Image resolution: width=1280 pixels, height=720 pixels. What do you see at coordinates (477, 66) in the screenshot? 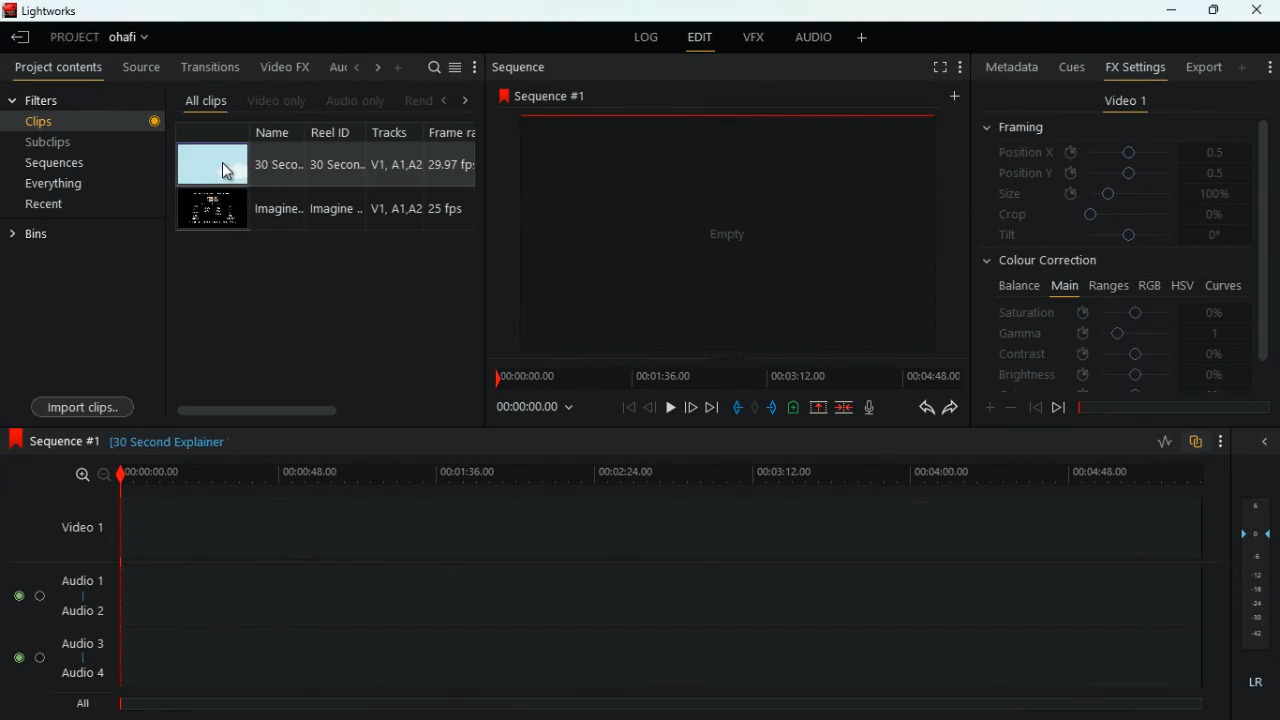
I see `more` at bounding box center [477, 66].